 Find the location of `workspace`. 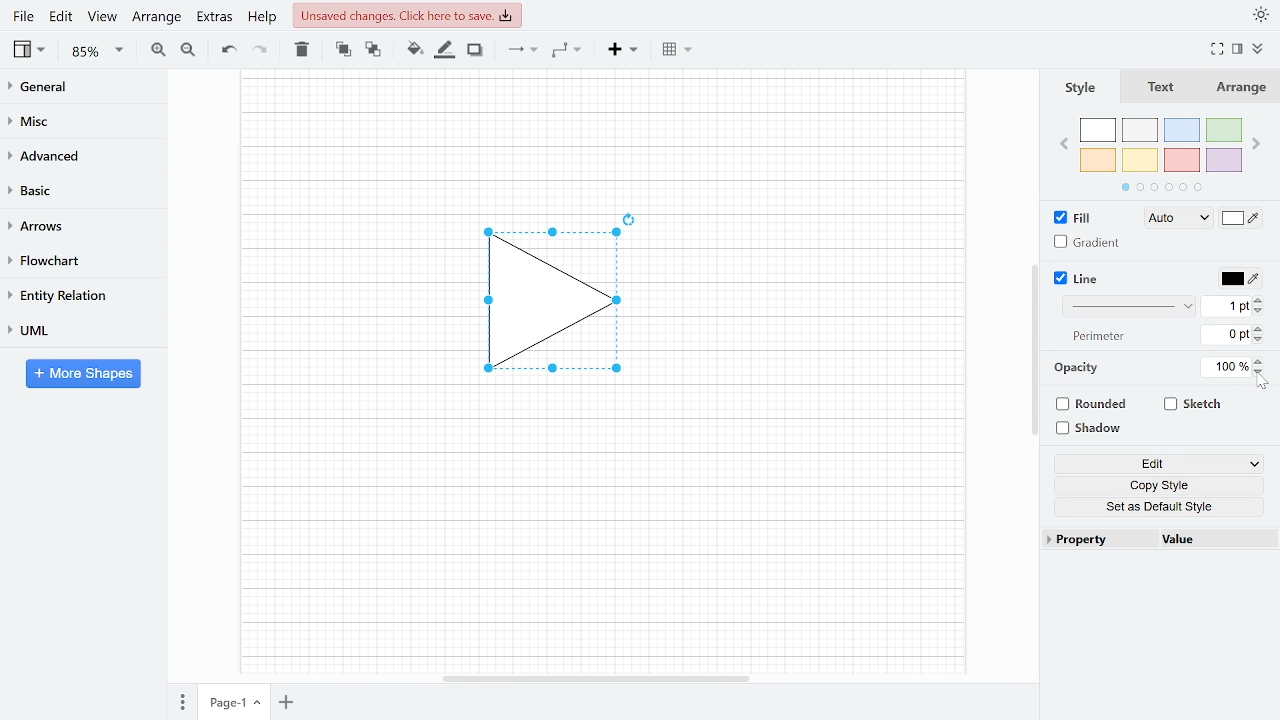

workspace is located at coordinates (602, 135).